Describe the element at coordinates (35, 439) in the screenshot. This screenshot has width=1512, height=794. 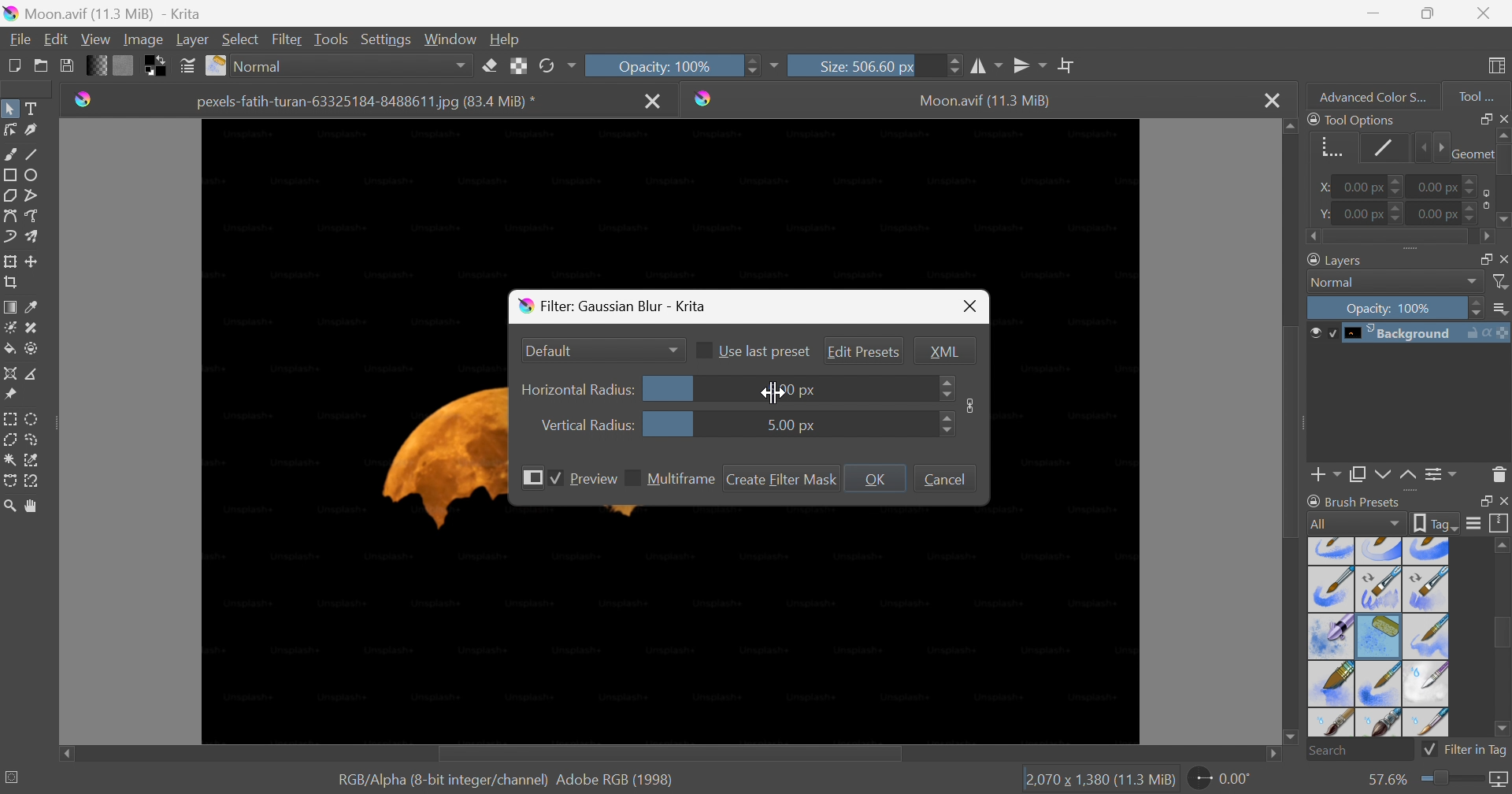
I see `Freehand selection tool` at that location.